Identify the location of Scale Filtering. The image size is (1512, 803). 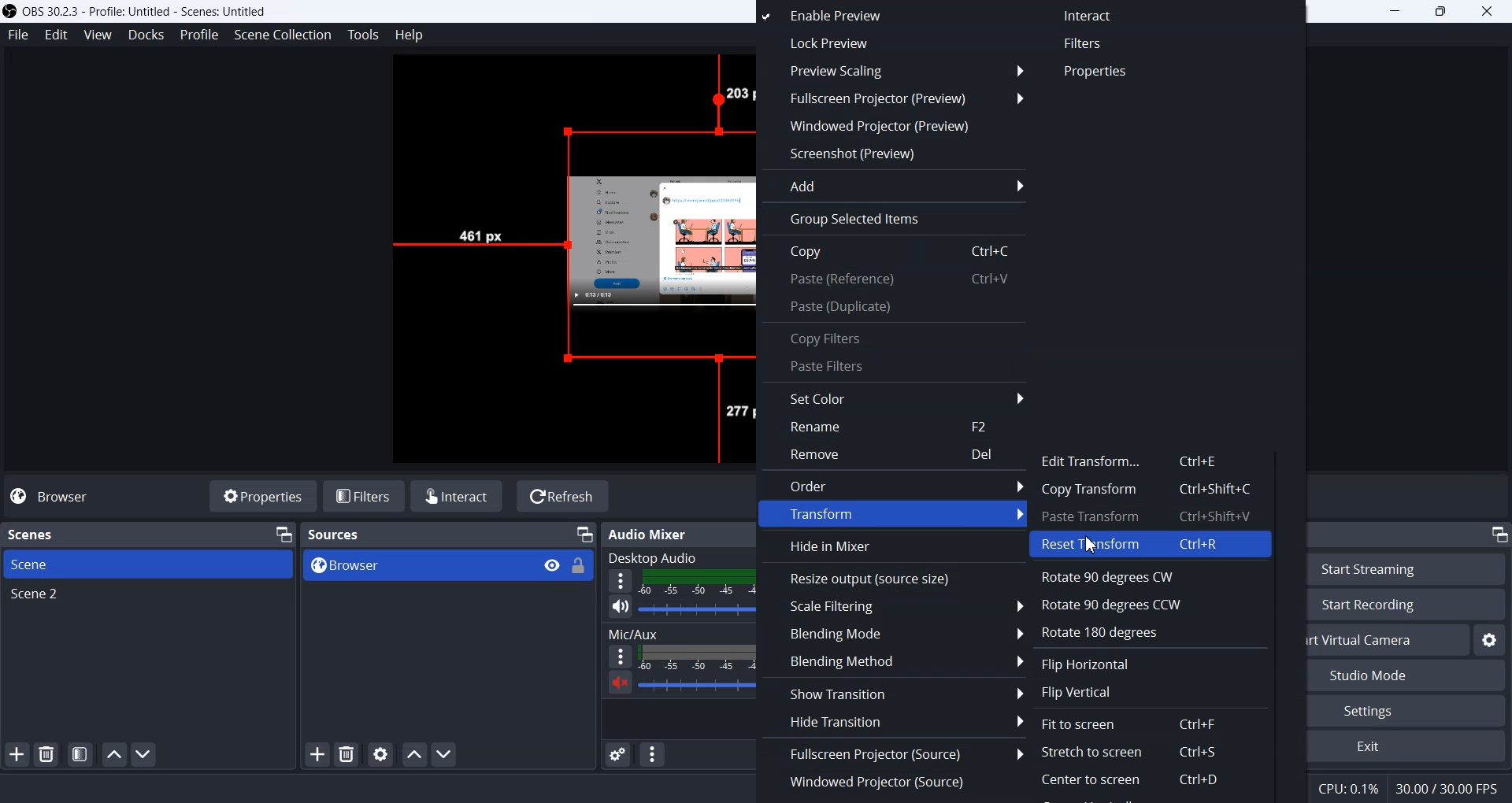
(894, 606).